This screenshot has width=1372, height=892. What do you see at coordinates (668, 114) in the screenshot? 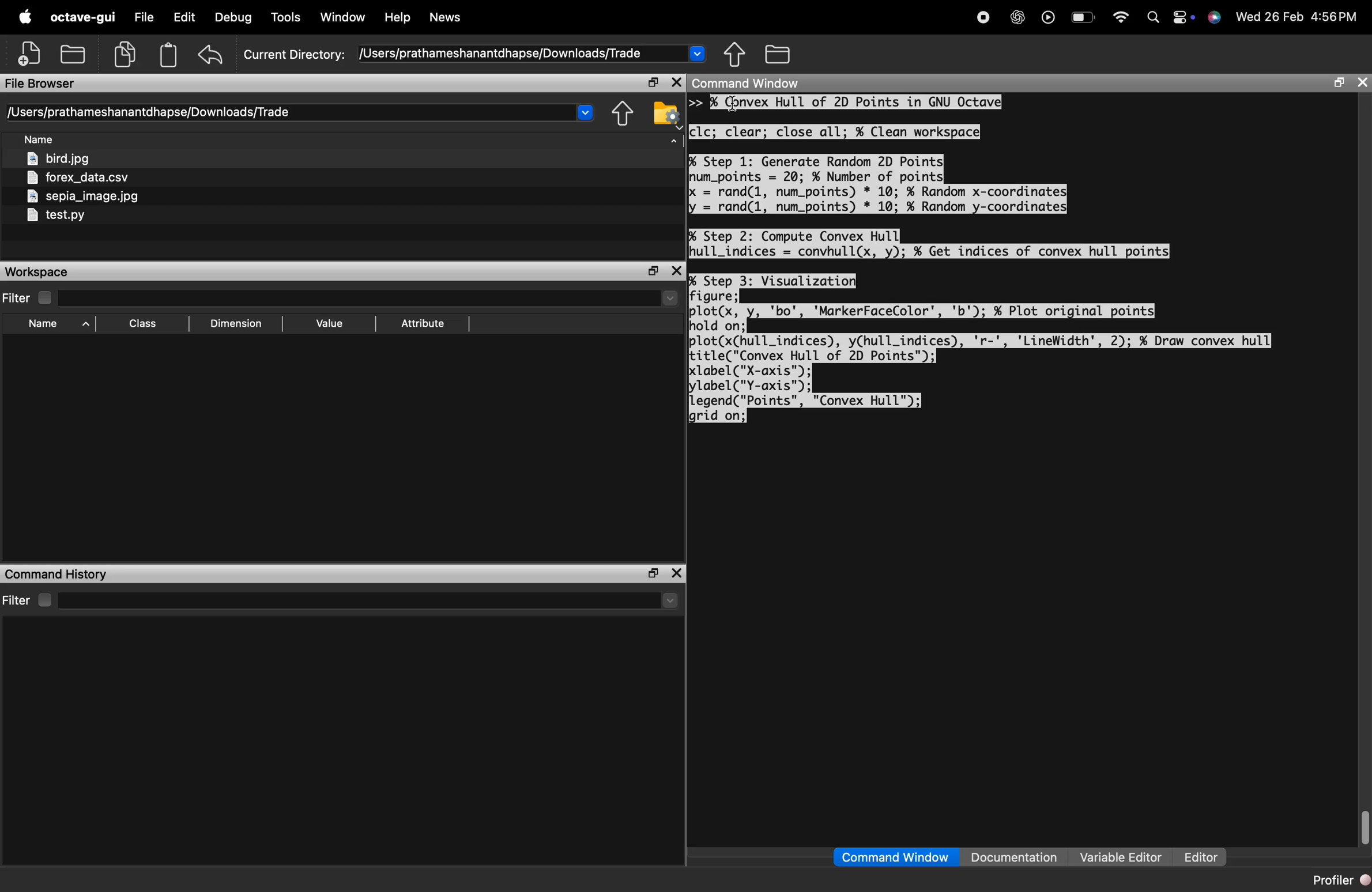
I see `folder settings` at bounding box center [668, 114].